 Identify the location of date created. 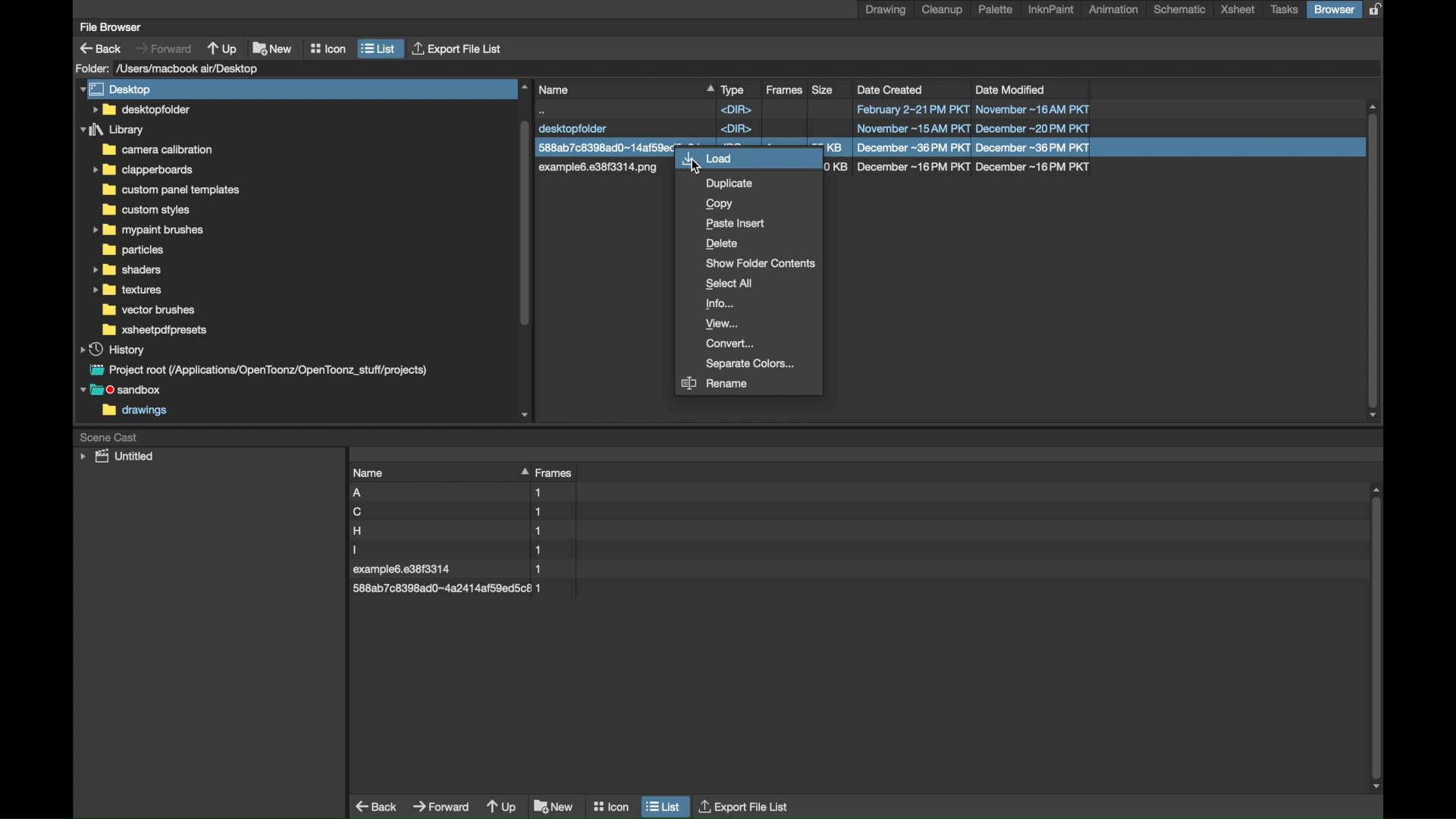
(891, 89).